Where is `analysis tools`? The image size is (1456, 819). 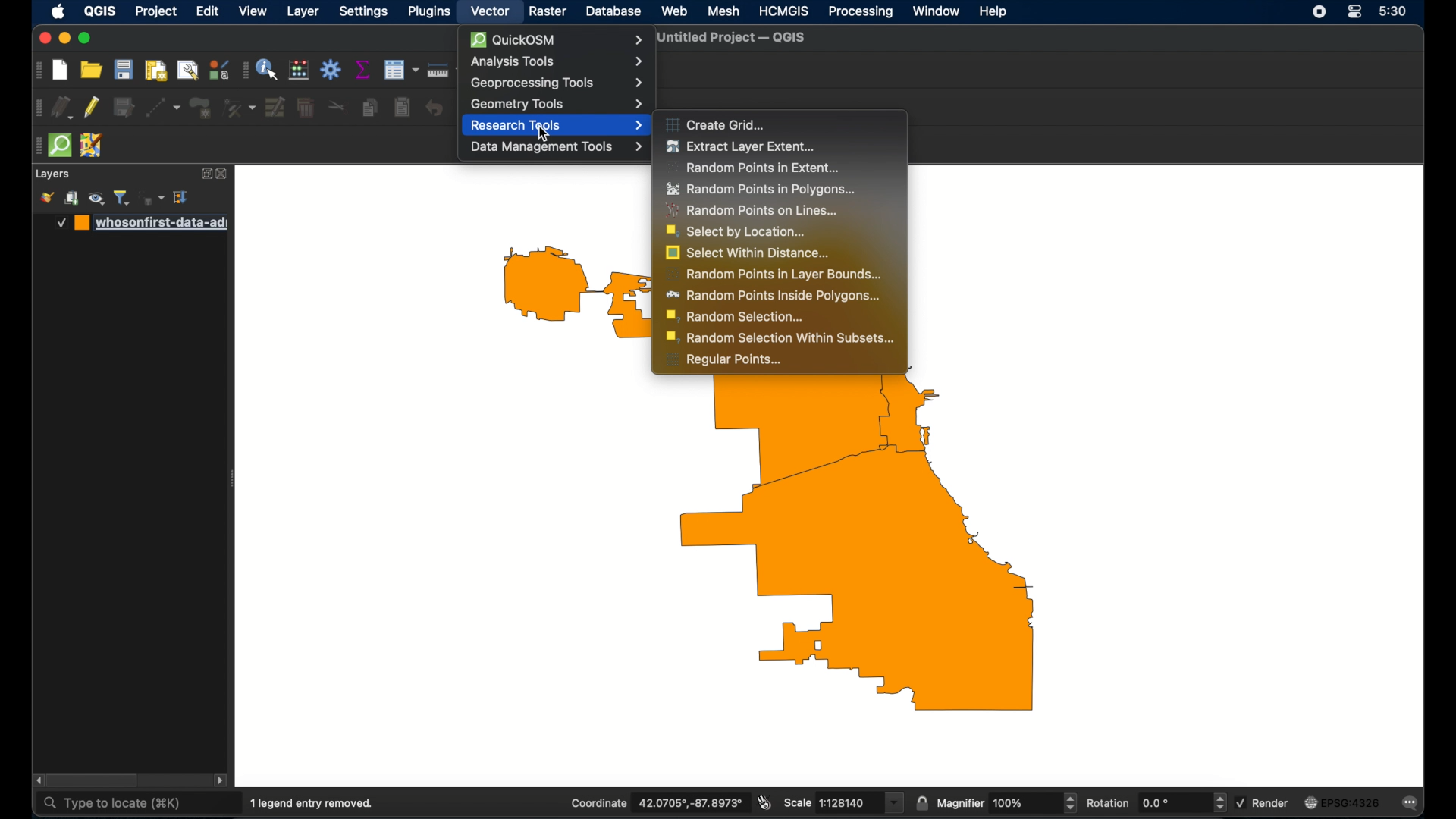
analysis tools is located at coordinates (556, 61).